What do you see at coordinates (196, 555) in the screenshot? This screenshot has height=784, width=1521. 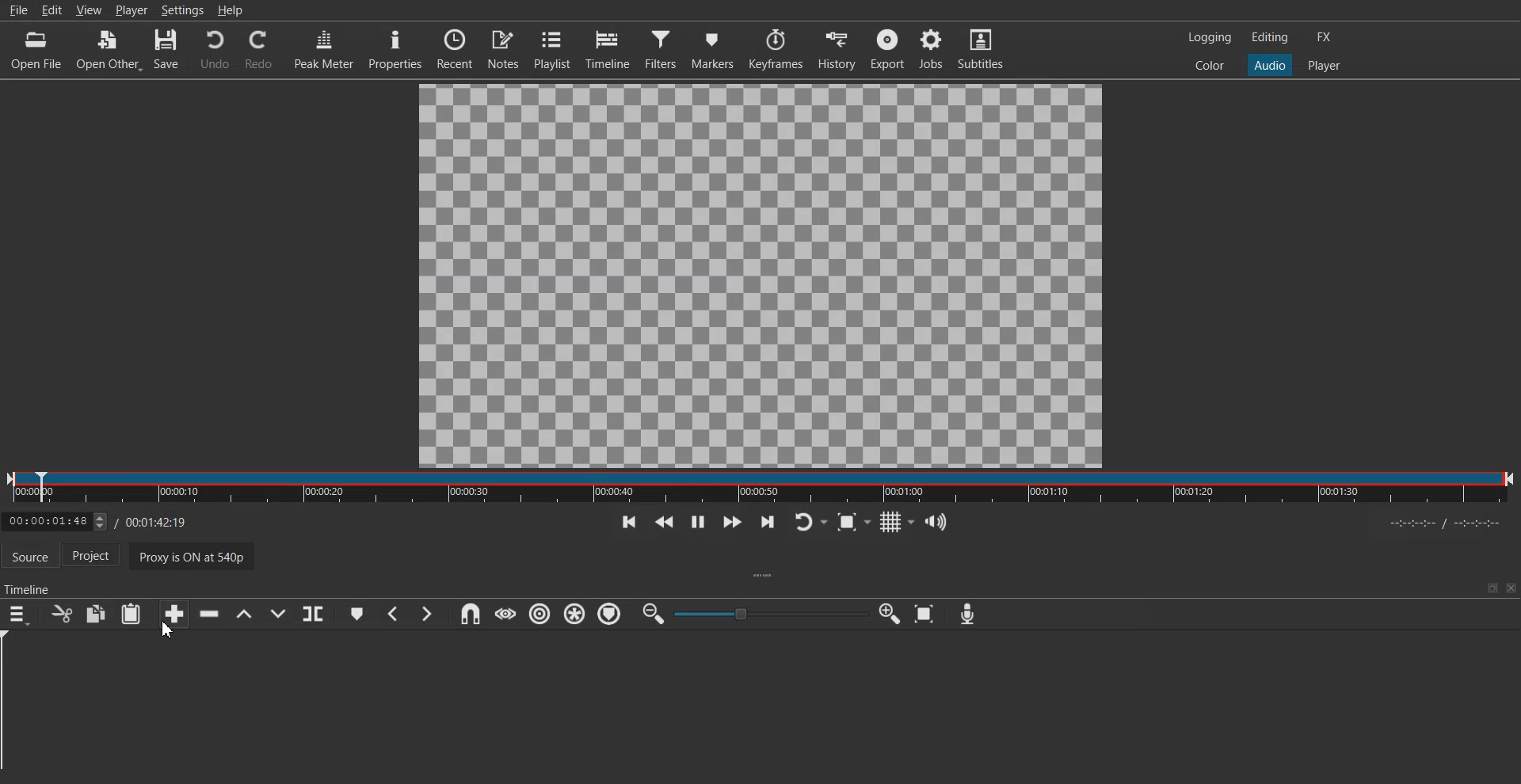 I see `Proxy is ON at 540p` at bounding box center [196, 555].